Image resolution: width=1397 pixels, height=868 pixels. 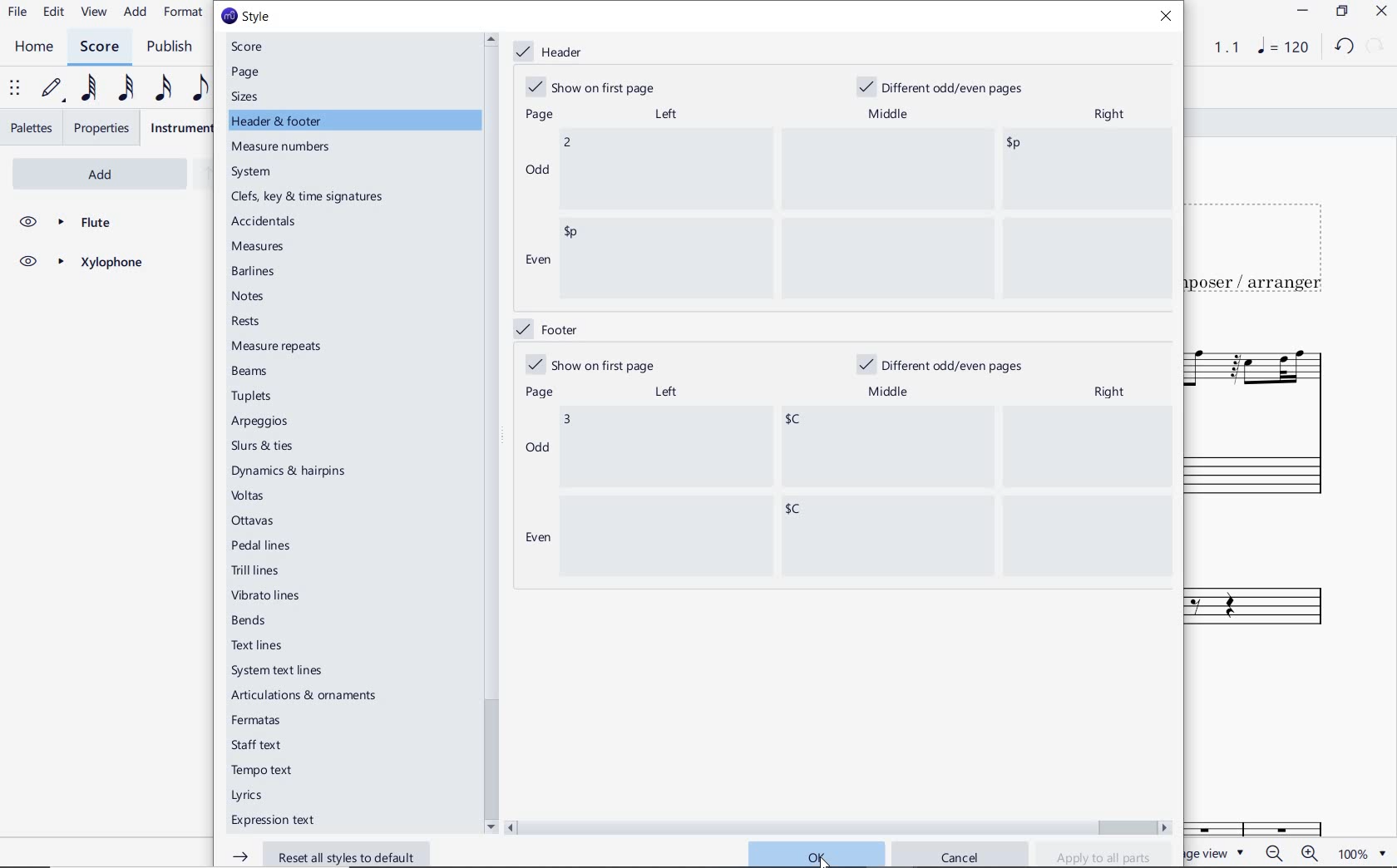 I want to click on pedal lines, so click(x=263, y=545).